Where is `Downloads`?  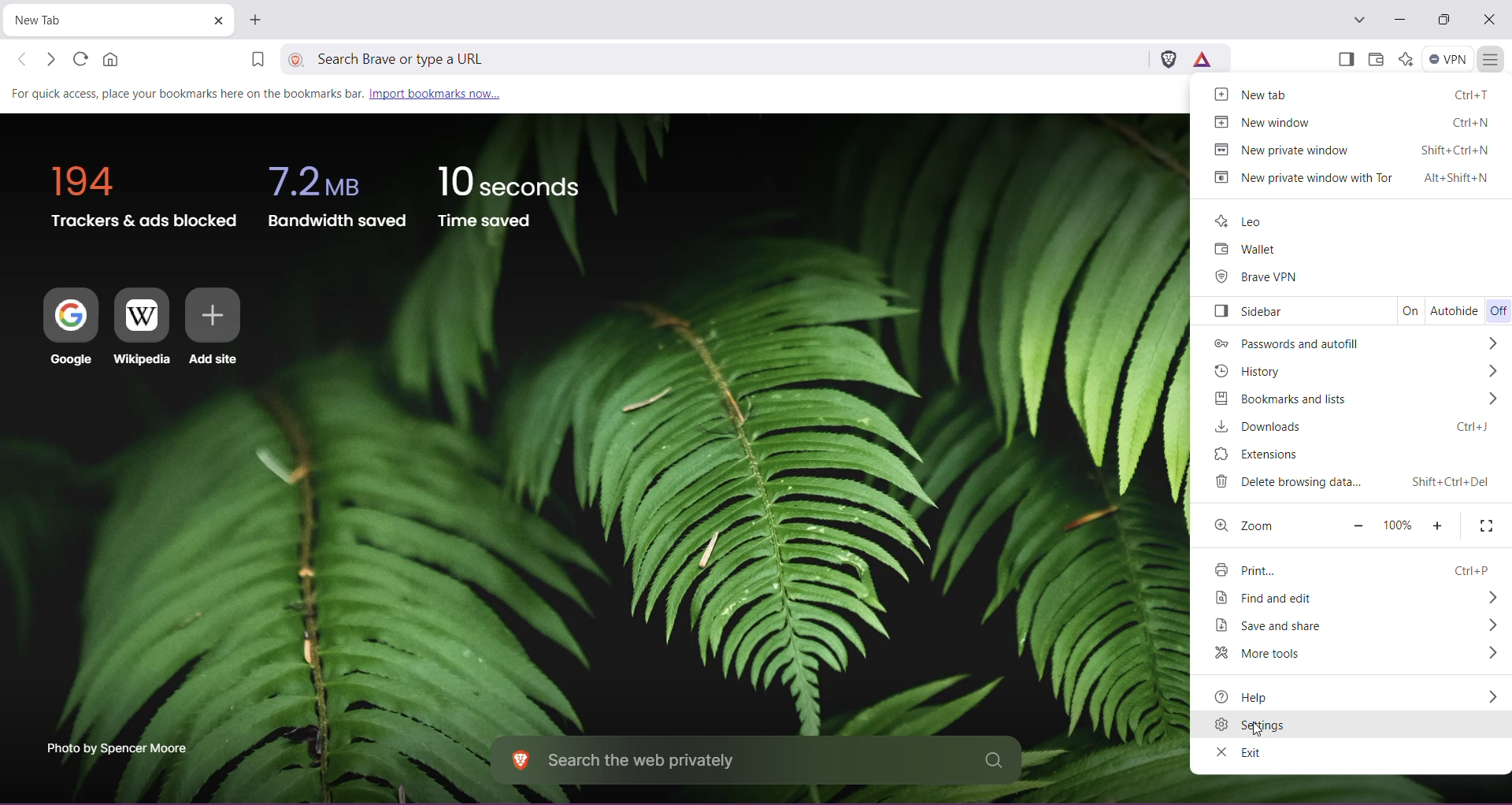 Downloads is located at coordinates (1347, 427).